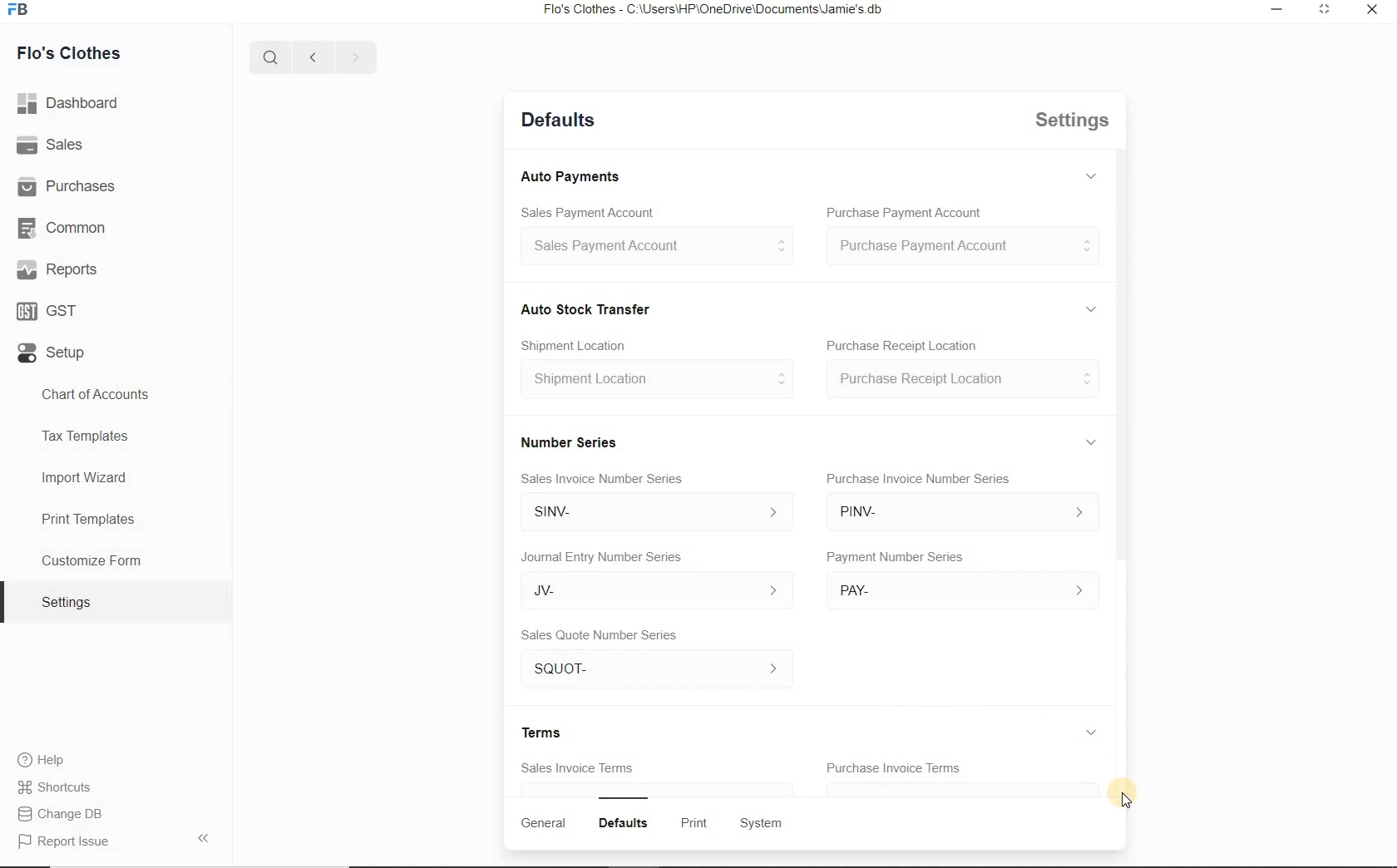  I want to click on Maximize, so click(1327, 10).